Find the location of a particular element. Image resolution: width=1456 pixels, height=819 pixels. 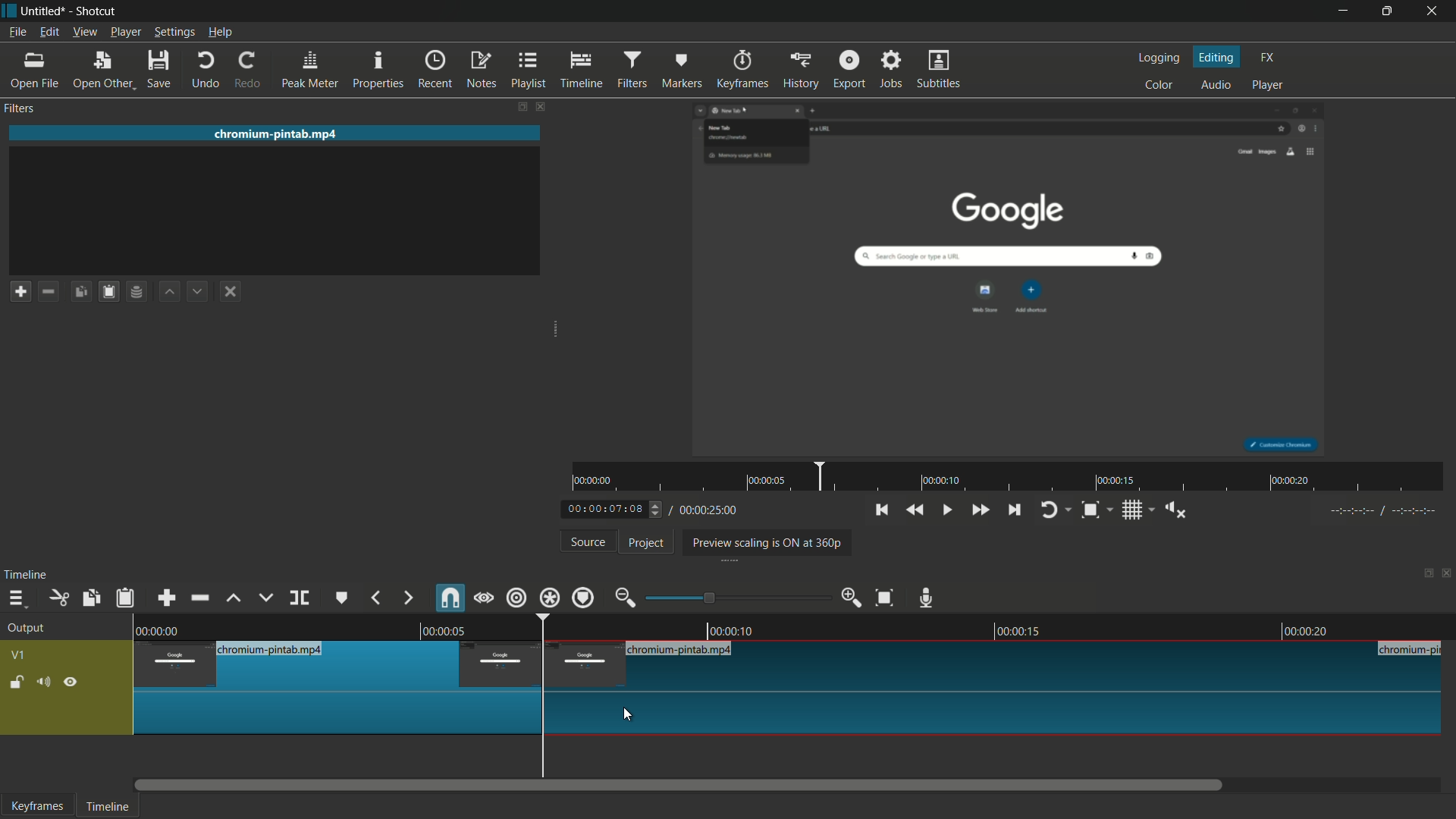

paste filters is located at coordinates (110, 291).